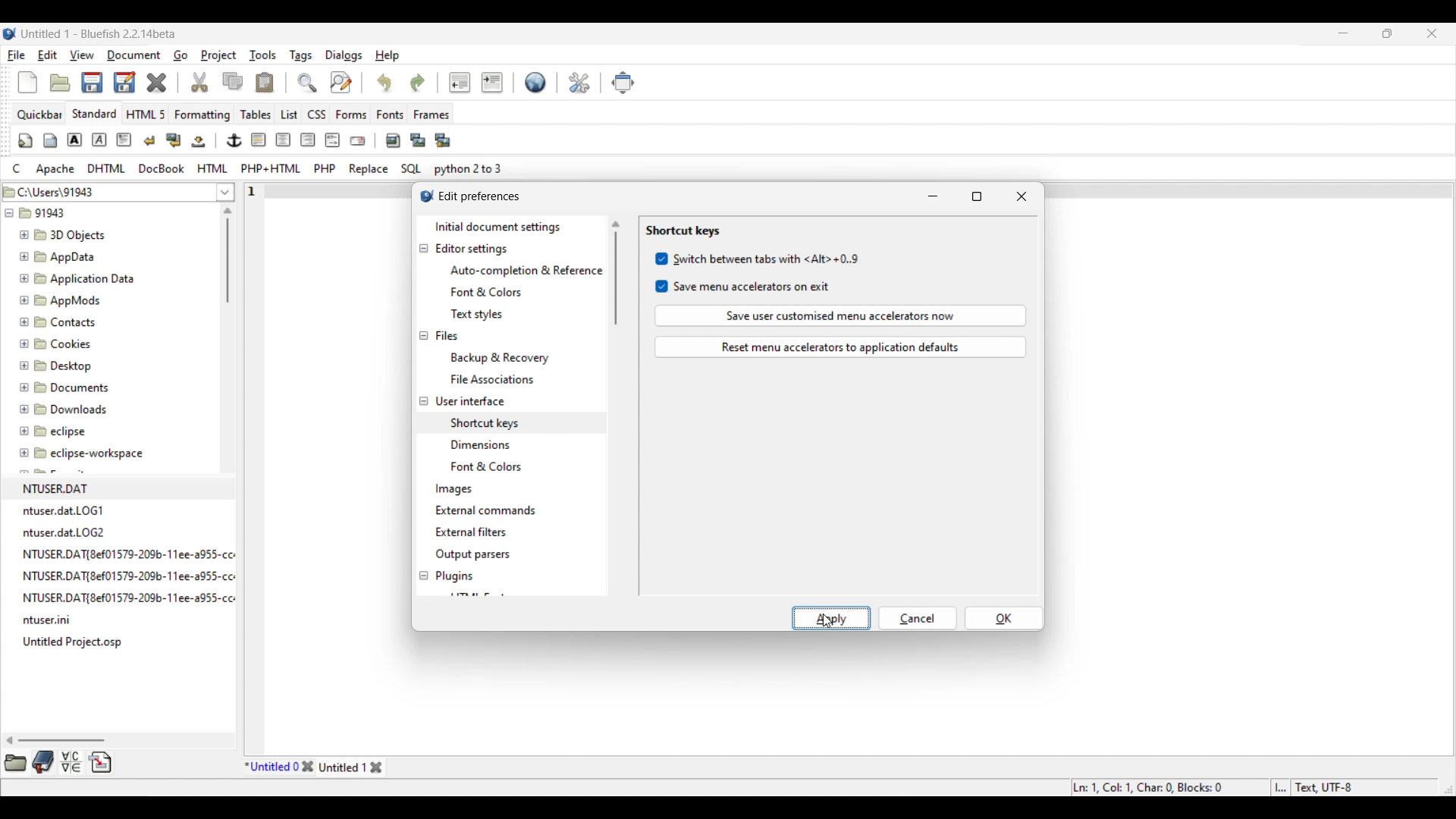  What do you see at coordinates (48, 55) in the screenshot?
I see `Edit menu` at bounding box center [48, 55].